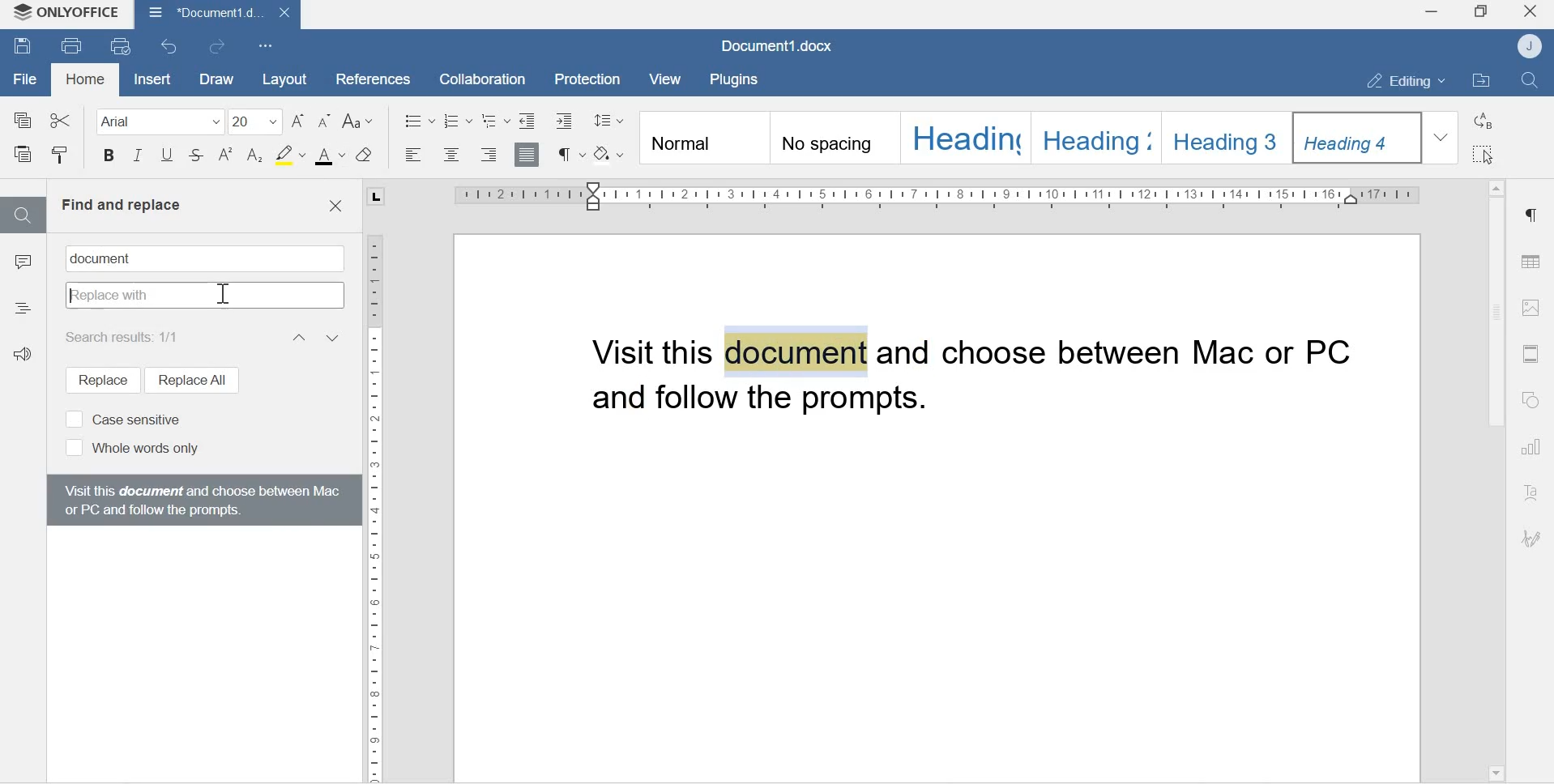 This screenshot has height=784, width=1554. Describe the element at coordinates (172, 46) in the screenshot. I see `Undo` at that location.